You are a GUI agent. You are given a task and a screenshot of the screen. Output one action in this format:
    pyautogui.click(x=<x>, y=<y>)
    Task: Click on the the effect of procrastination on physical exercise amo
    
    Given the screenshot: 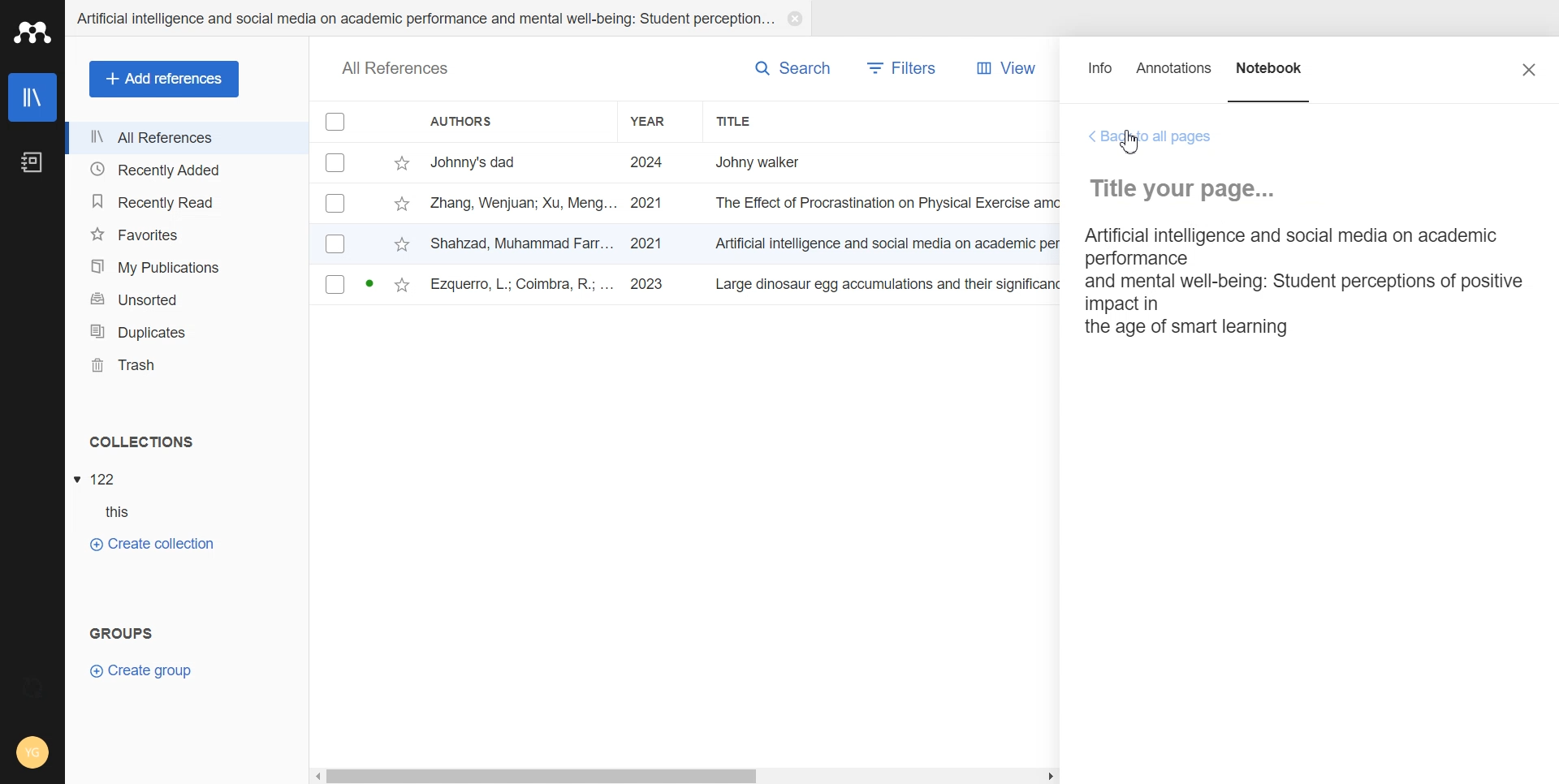 What is the action you would take?
    pyautogui.click(x=889, y=203)
    